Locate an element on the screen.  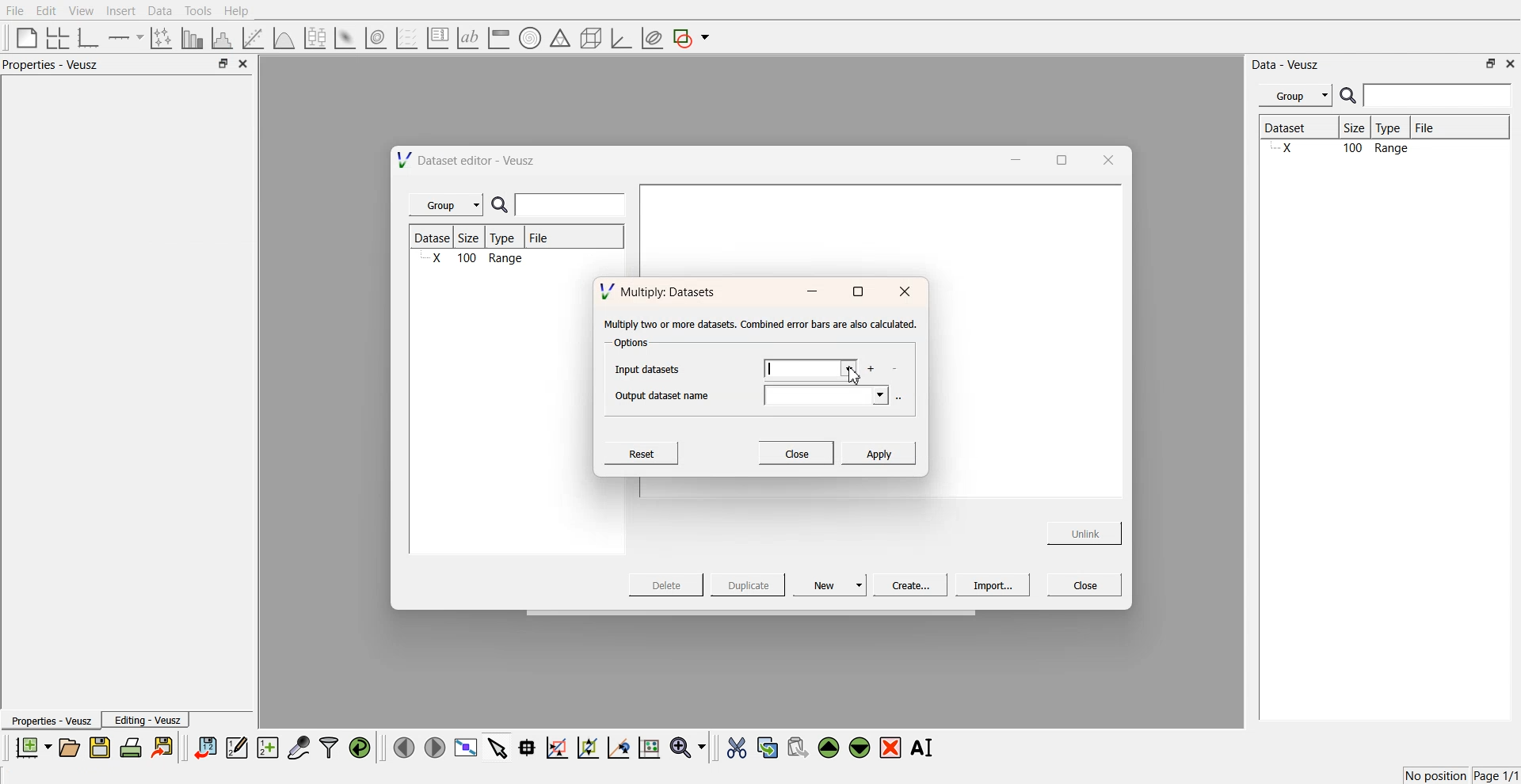
close is located at coordinates (905, 292).